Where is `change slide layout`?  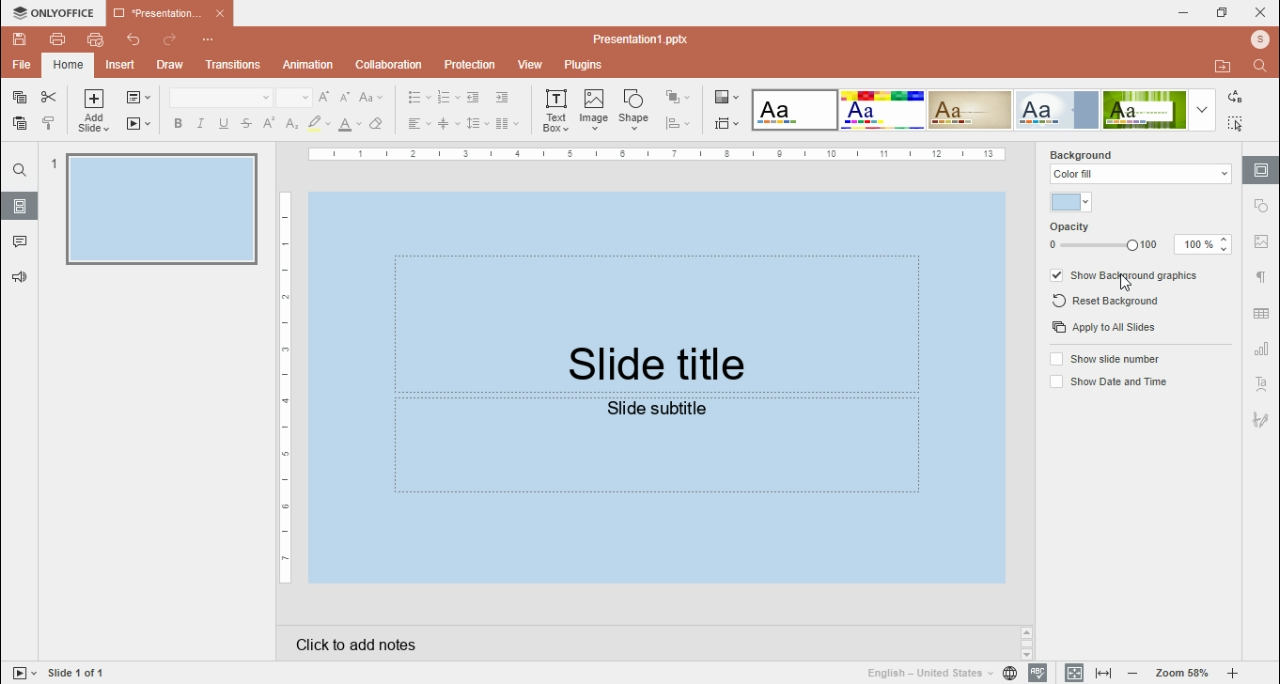 change slide layout is located at coordinates (138, 97).